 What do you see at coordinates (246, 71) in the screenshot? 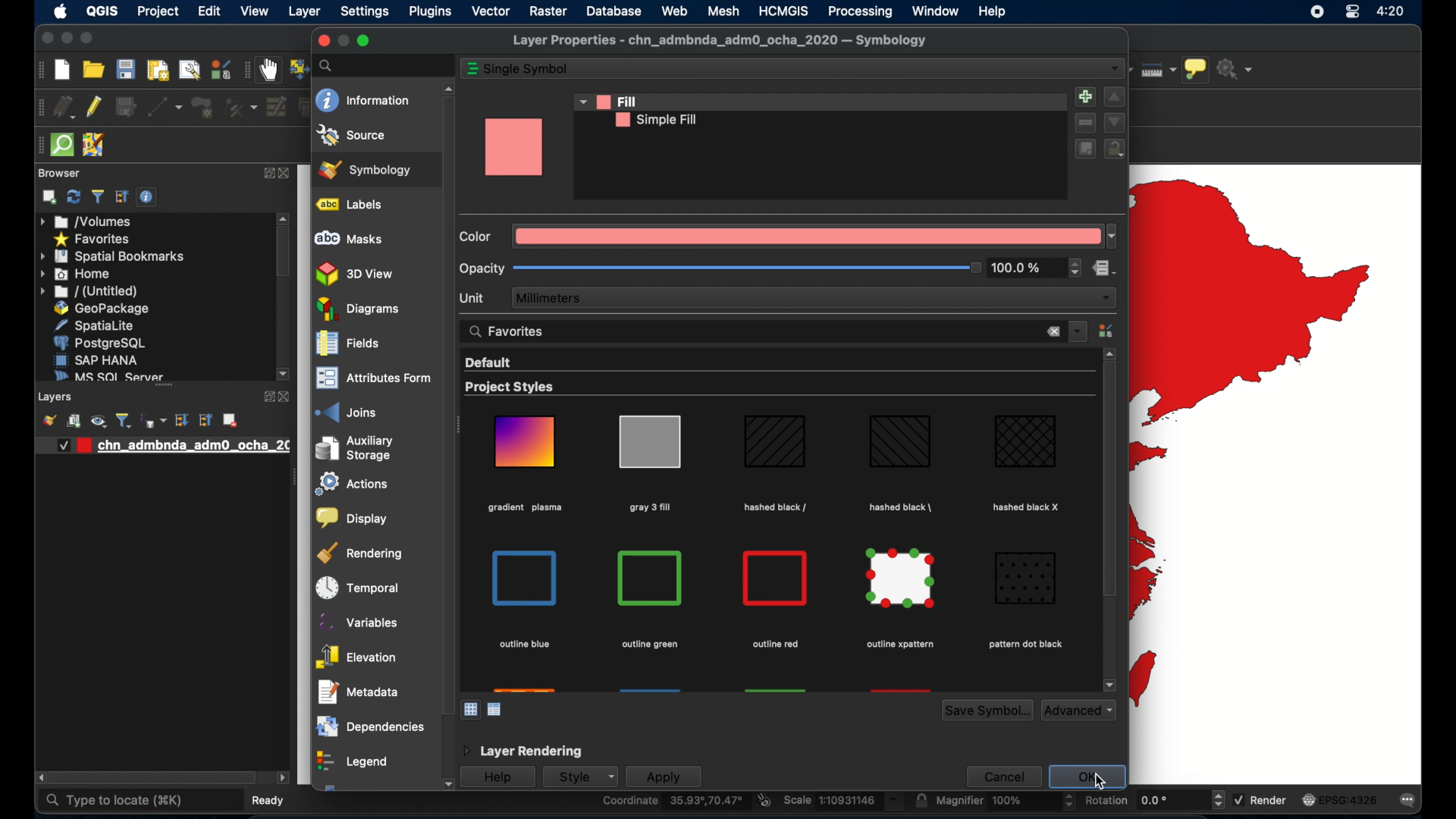
I see `map navigation toolbar` at bounding box center [246, 71].